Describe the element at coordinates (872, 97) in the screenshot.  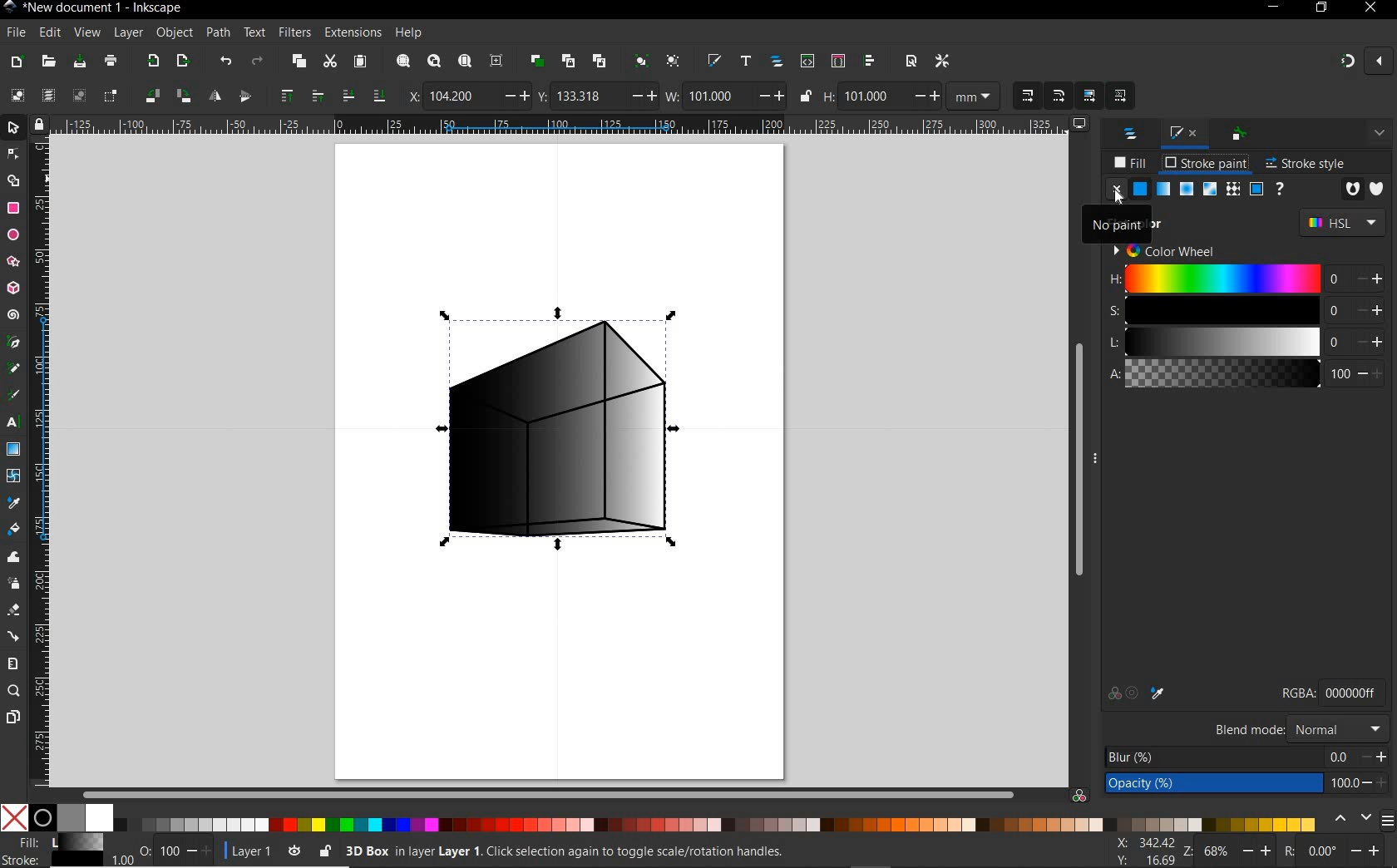
I see `101` at that location.